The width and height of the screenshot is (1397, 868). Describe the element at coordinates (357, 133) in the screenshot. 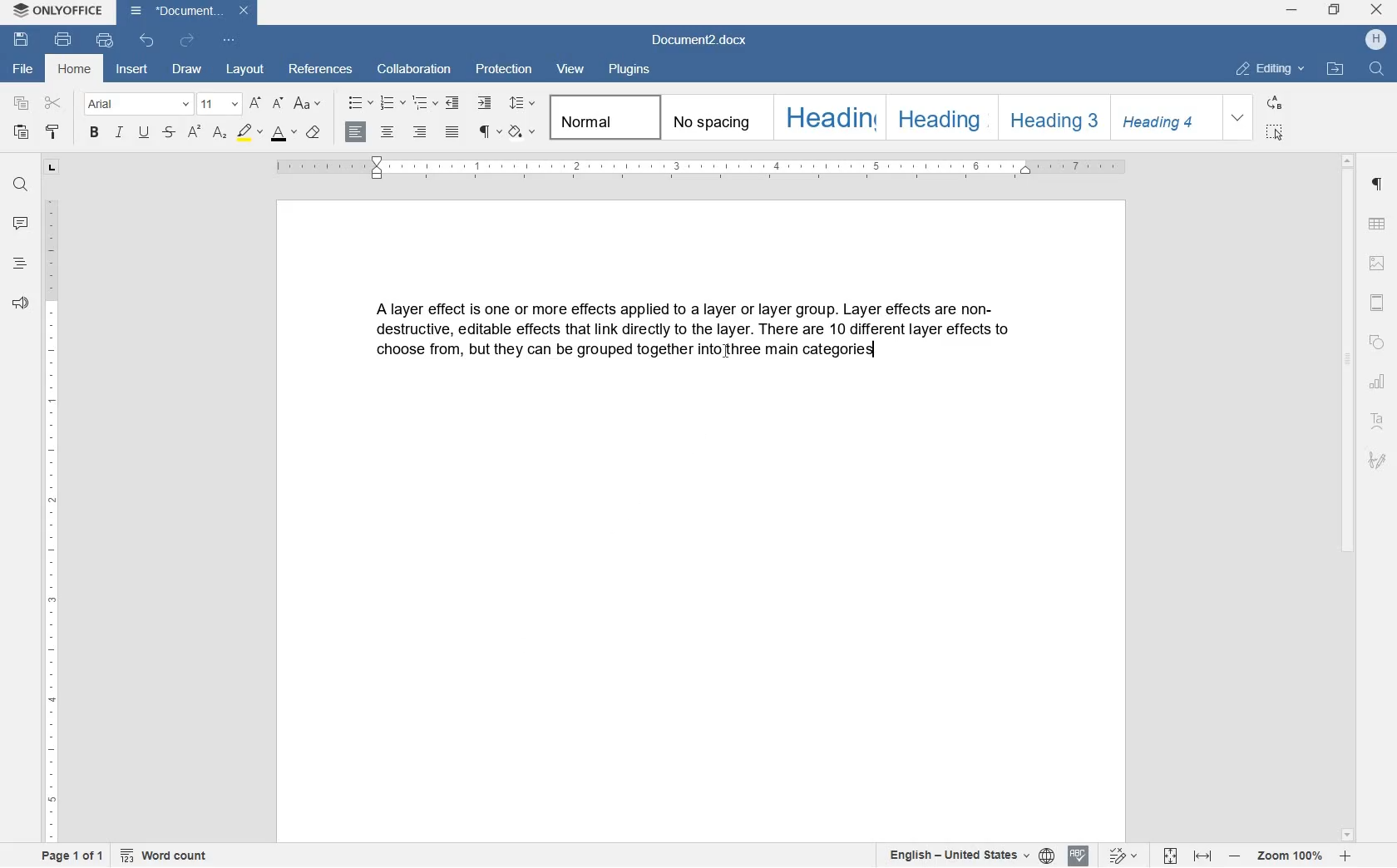

I see `align left` at that location.